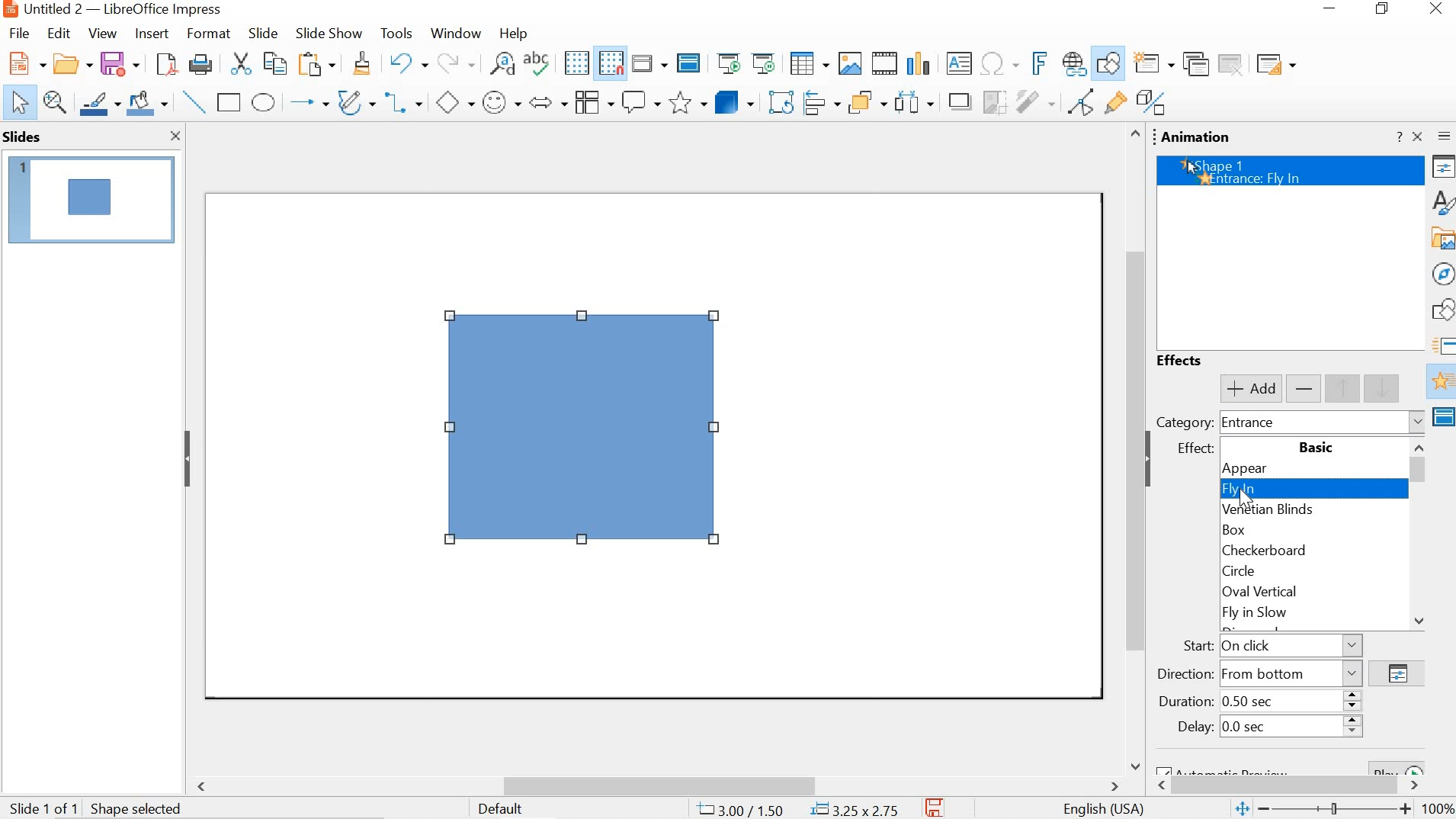 The image size is (1456, 819). I want to click on insert audio or video, so click(883, 62).